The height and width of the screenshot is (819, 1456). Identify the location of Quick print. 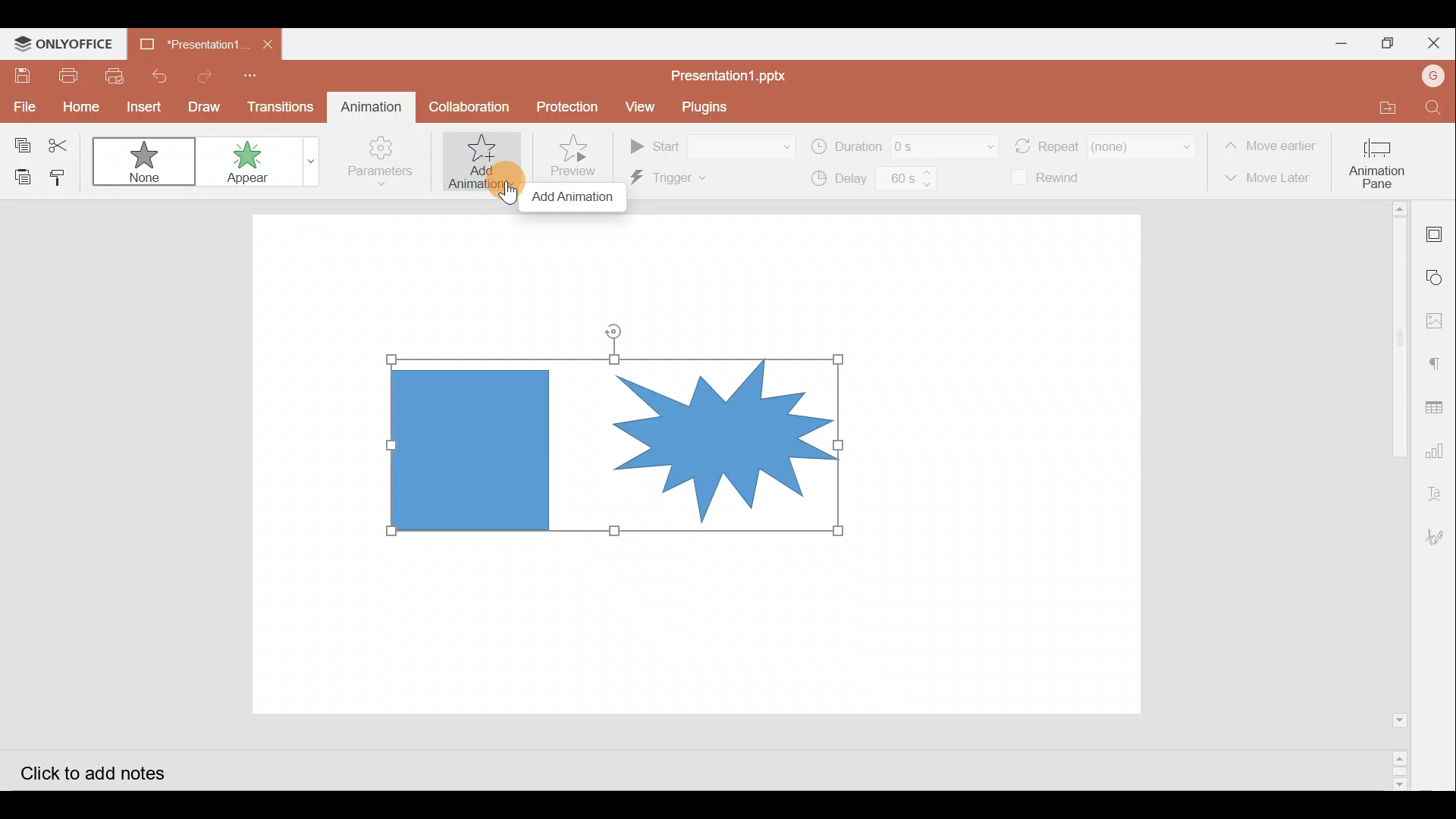
(115, 74).